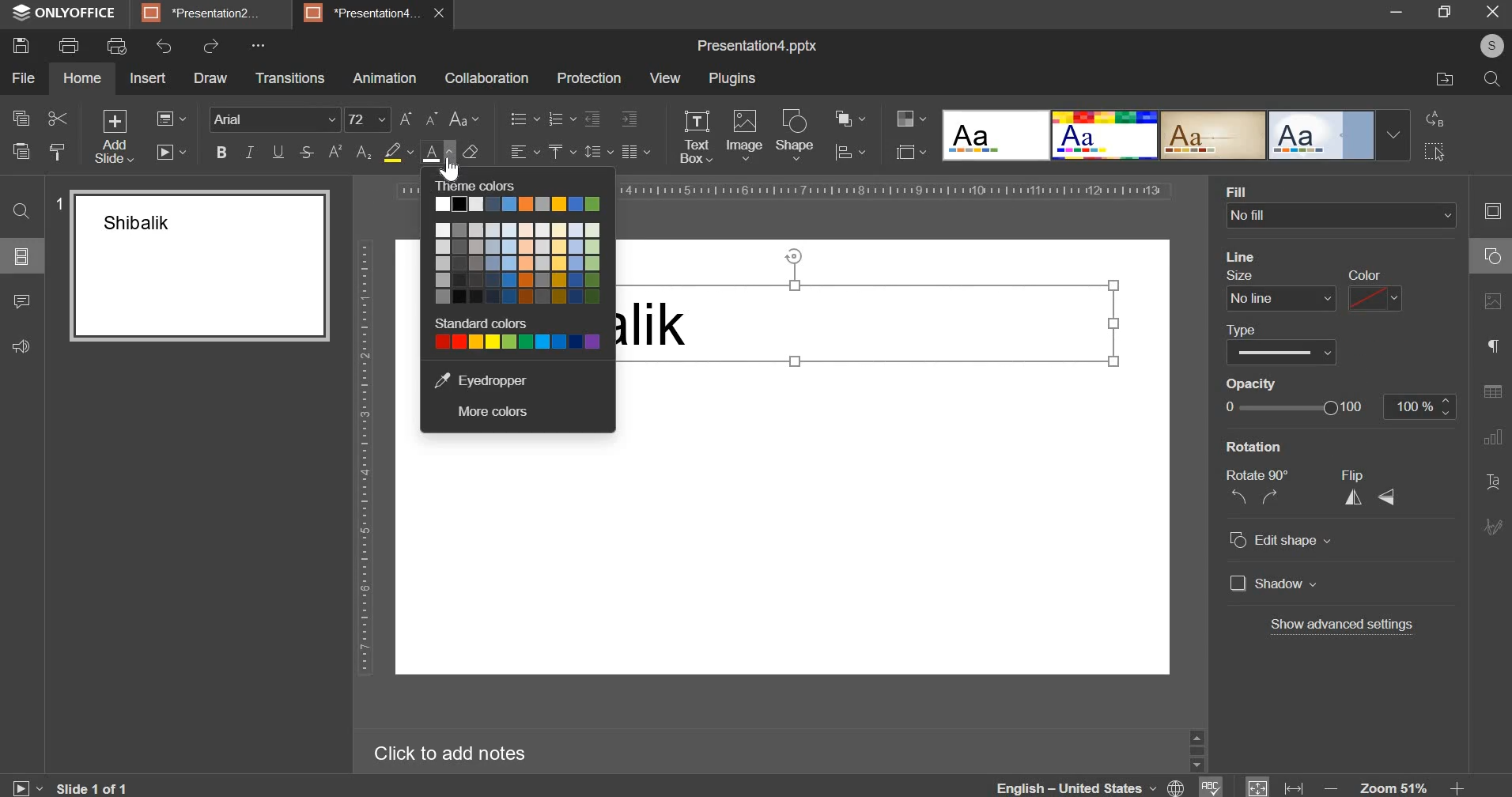  Describe the element at coordinates (1306, 448) in the screenshot. I see `rotation` at that location.